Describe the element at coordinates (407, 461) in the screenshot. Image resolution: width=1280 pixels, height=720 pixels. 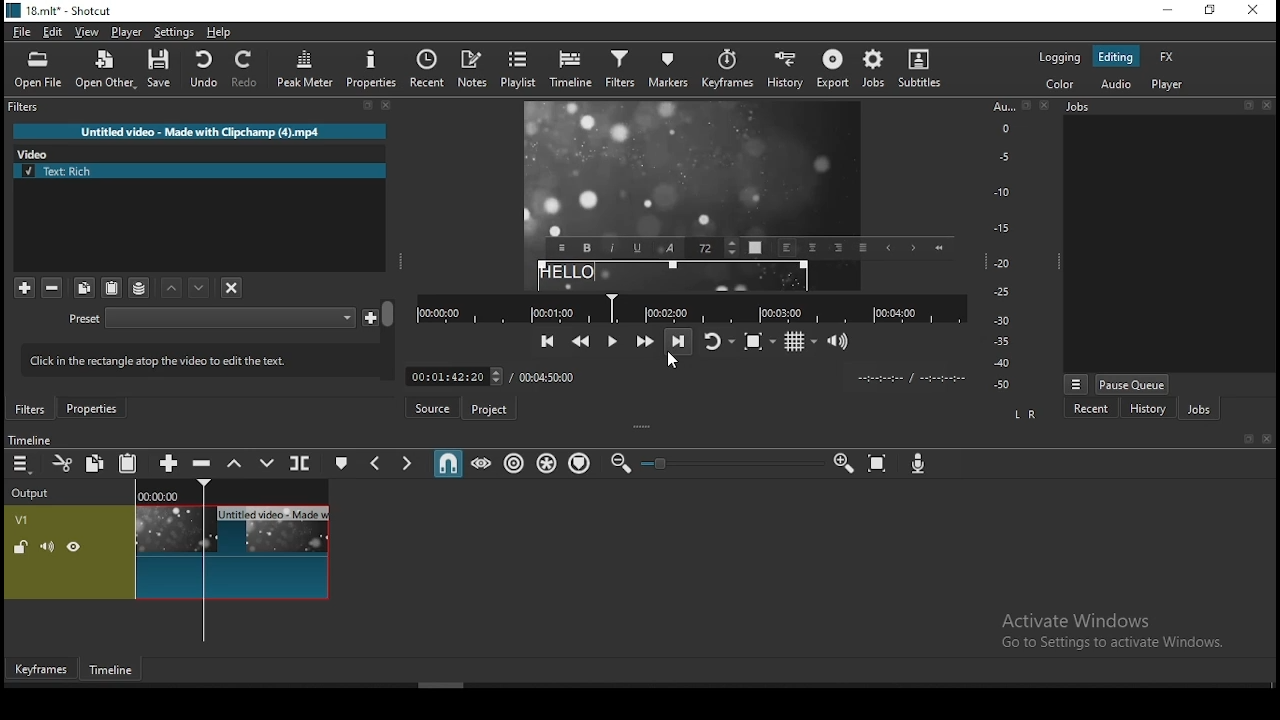
I see `next marker` at that location.